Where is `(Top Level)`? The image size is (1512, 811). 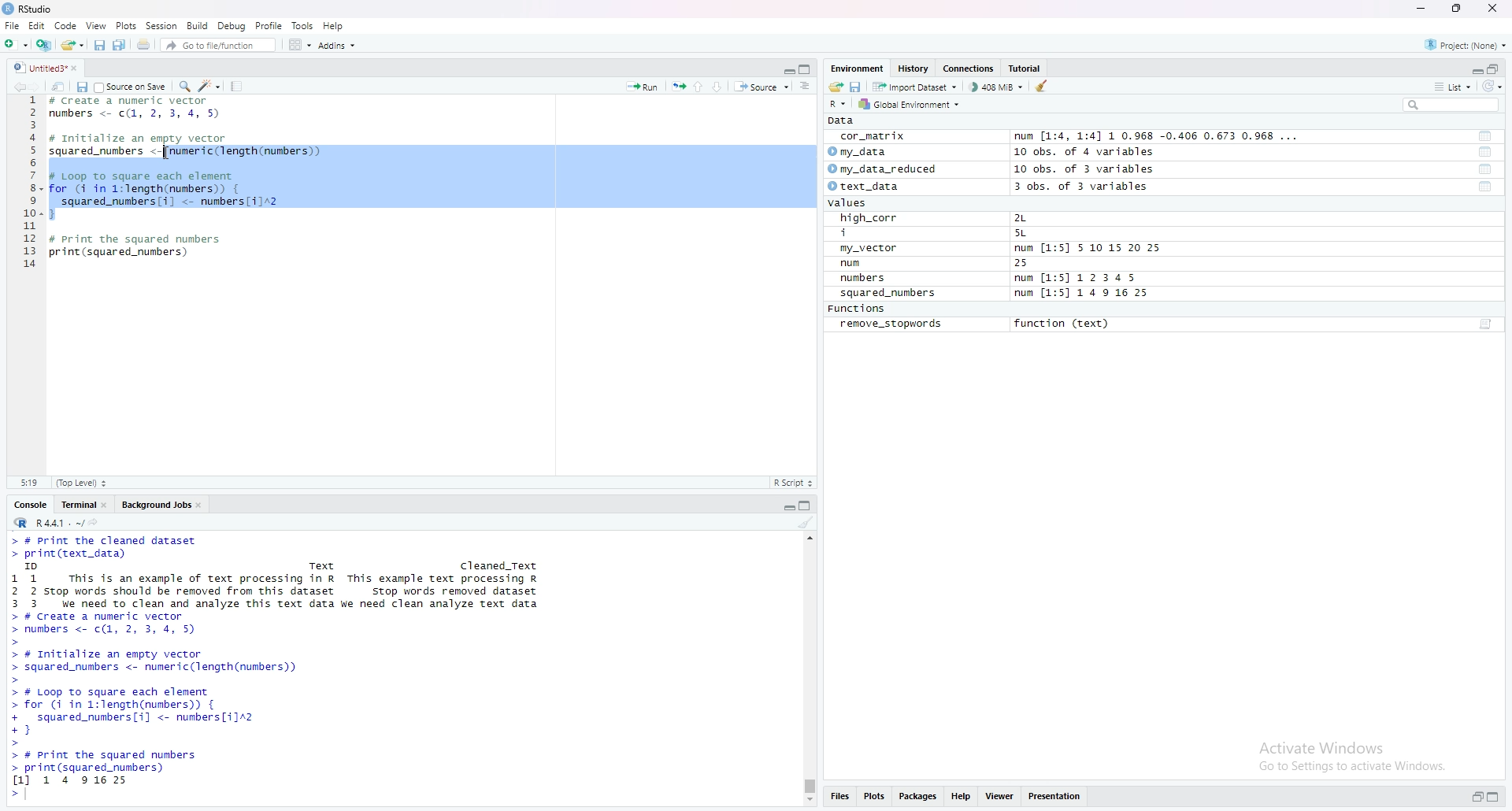 (Top Level) is located at coordinates (81, 483).